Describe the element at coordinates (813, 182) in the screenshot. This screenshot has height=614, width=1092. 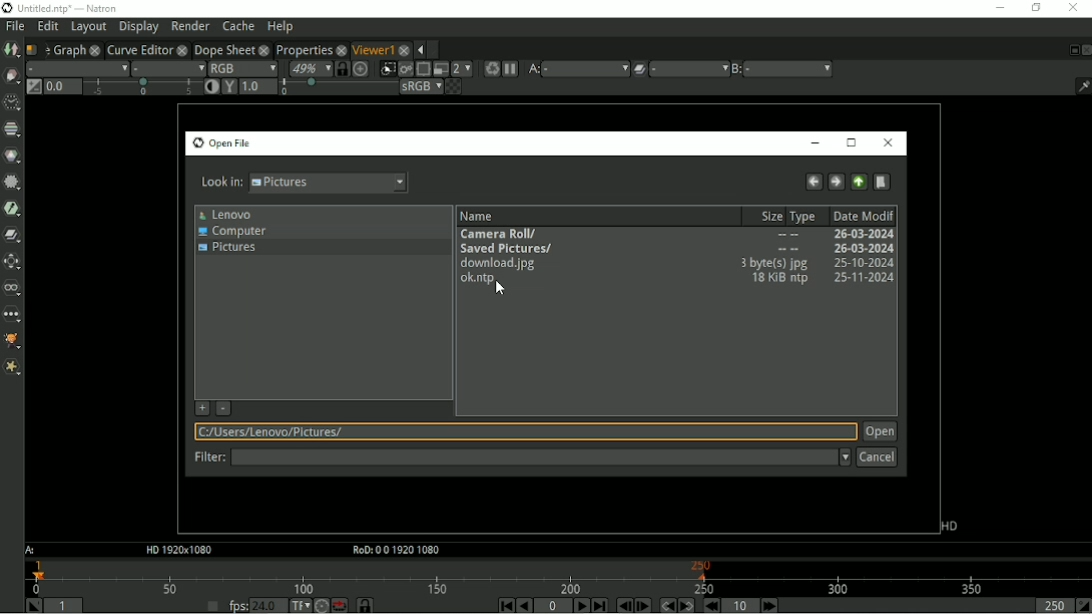
I see `Go back` at that location.